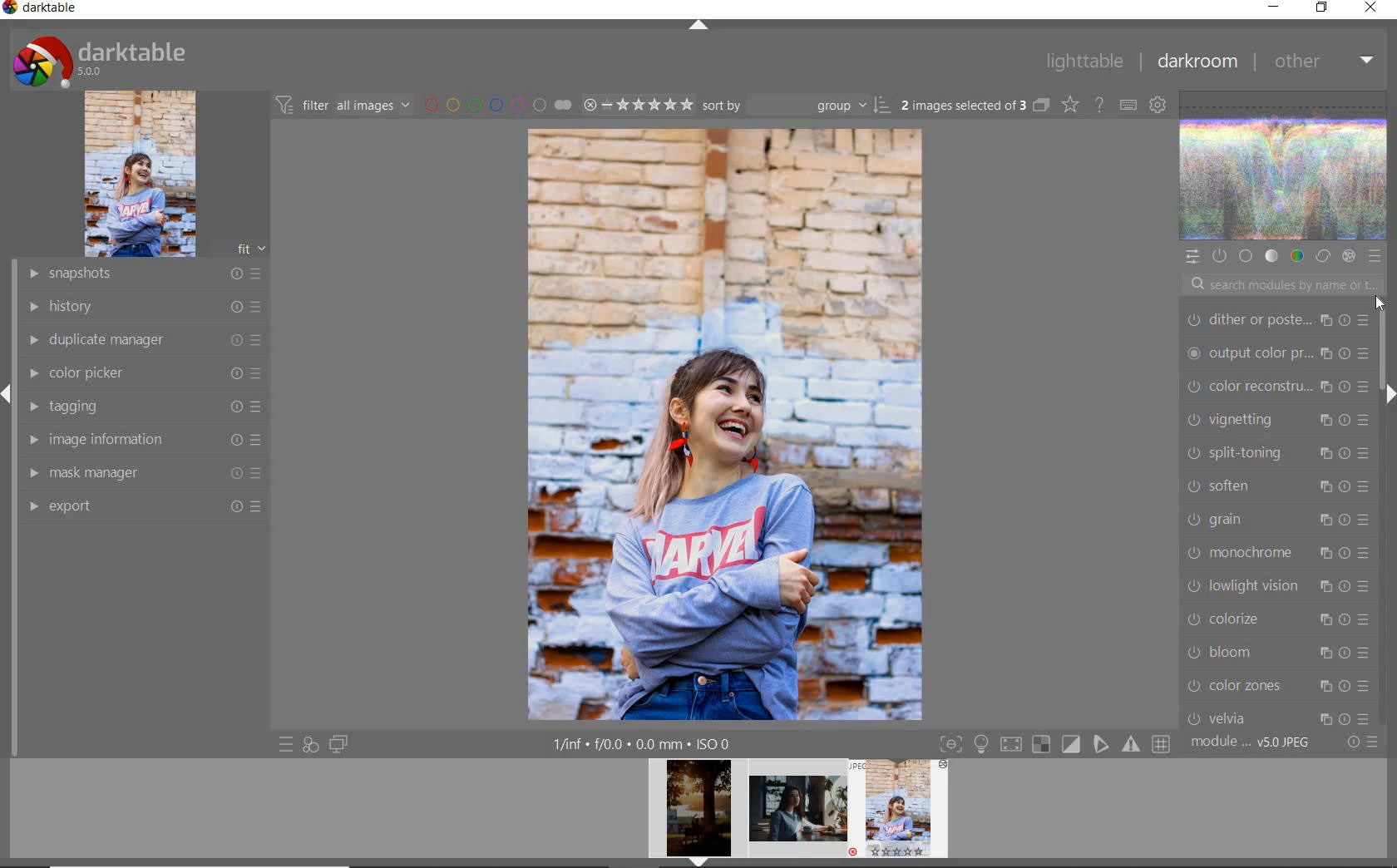  What do you see at coordinates (1281, 451) in the screenshot?
I see `retouch` at bounding box center [1281, 451].